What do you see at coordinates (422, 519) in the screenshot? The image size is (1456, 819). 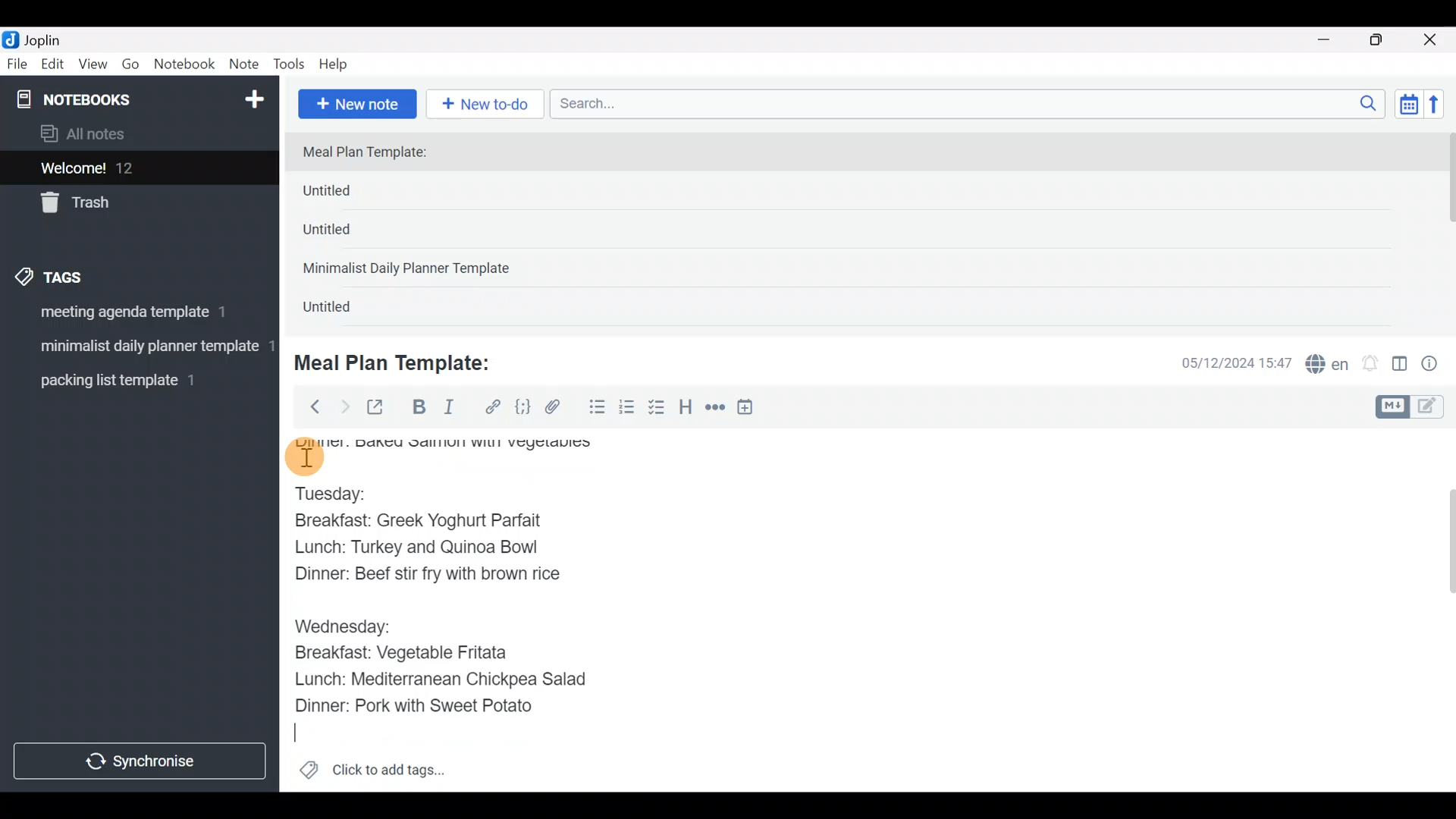 I see `Breakfast: Greek Yoghurt Parfait` at bounding box center [422, 519].